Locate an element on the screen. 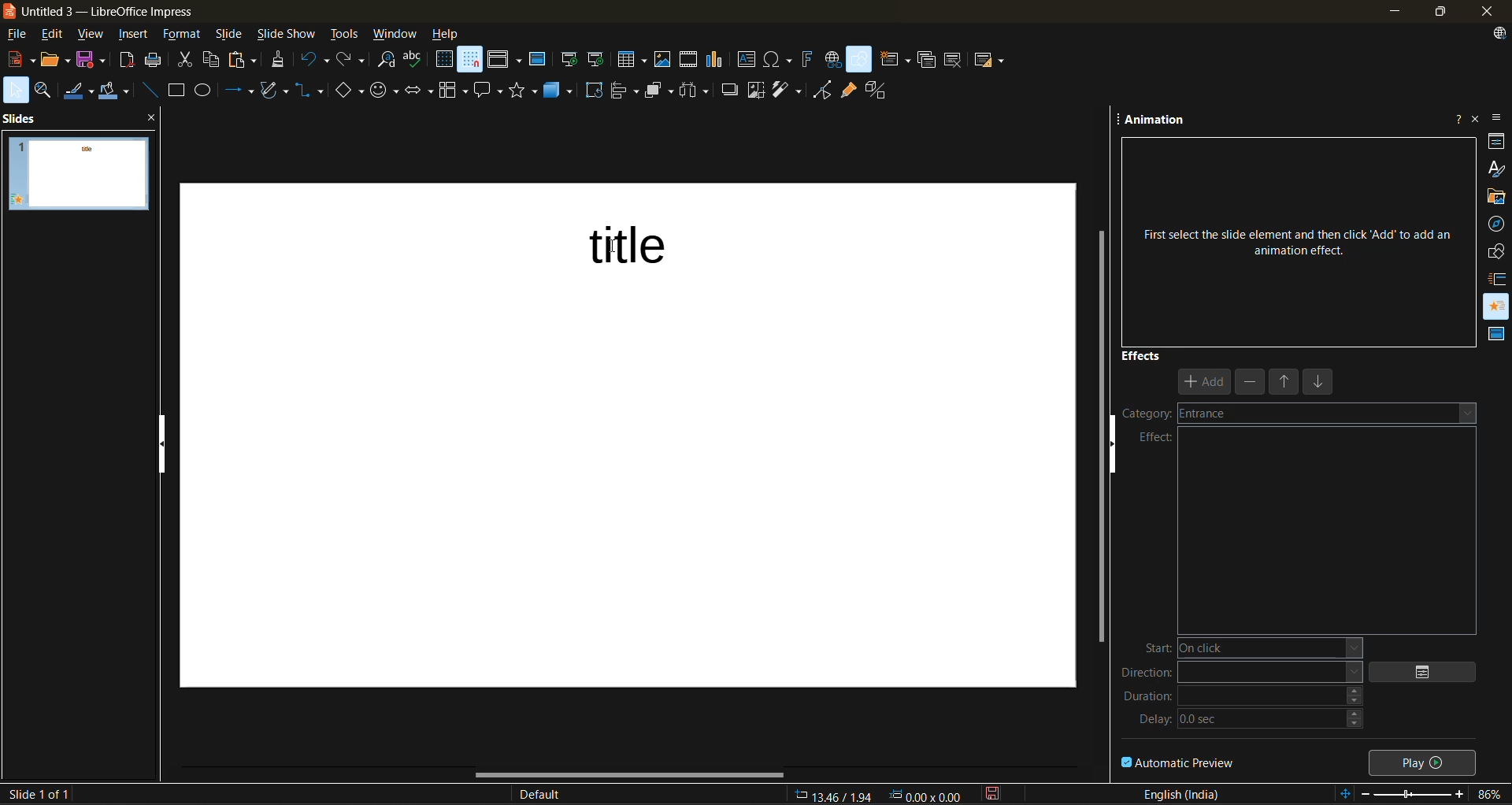 The image size is (1512, 805). First select the slide element and then click ‘Add’ to add an
animation effect. is located at coordinates (1297, 235).